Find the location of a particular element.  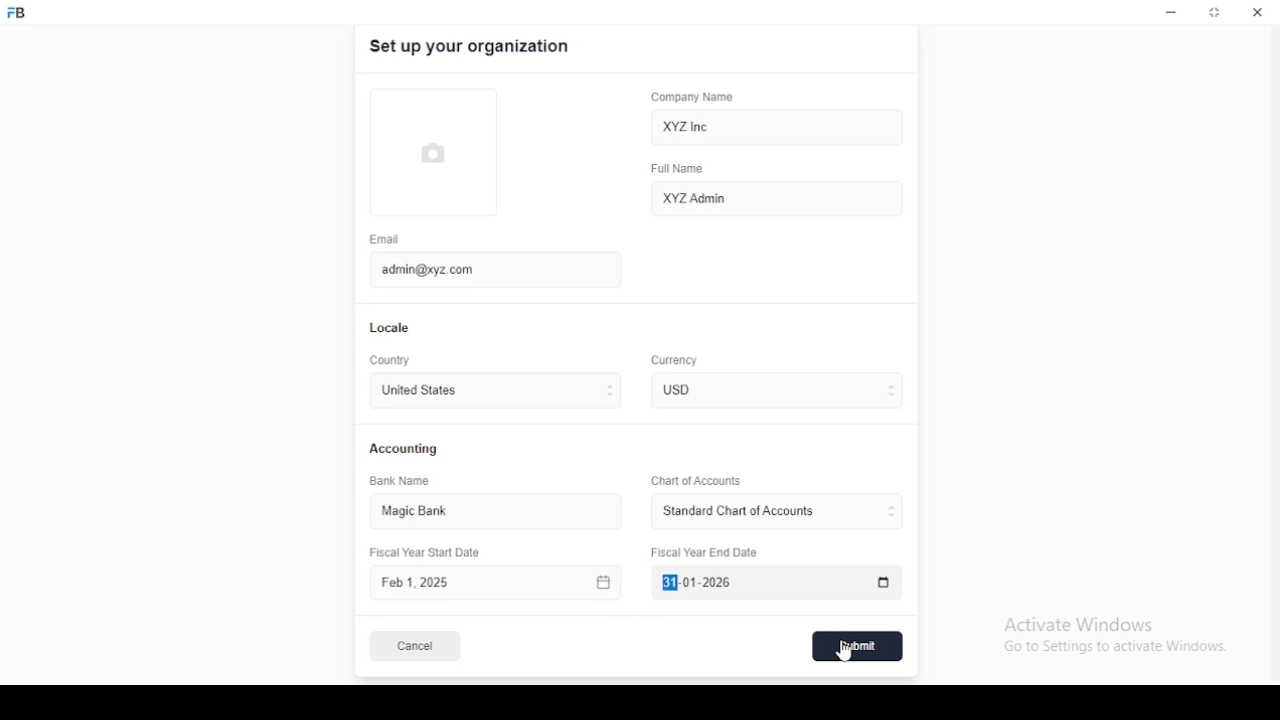

accounting is located at coordinates (405, 448).